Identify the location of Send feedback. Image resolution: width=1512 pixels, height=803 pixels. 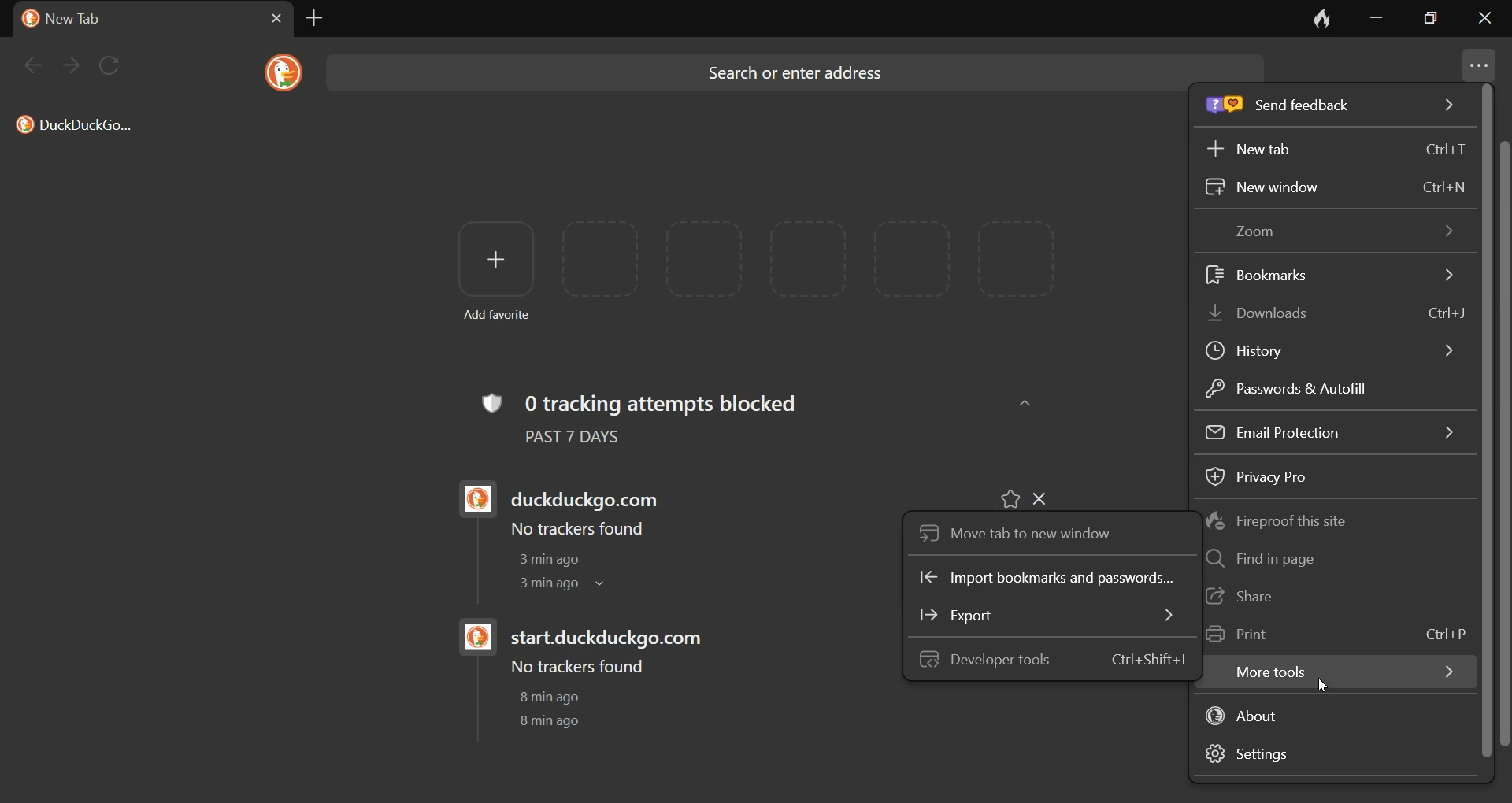
(1334, 109).